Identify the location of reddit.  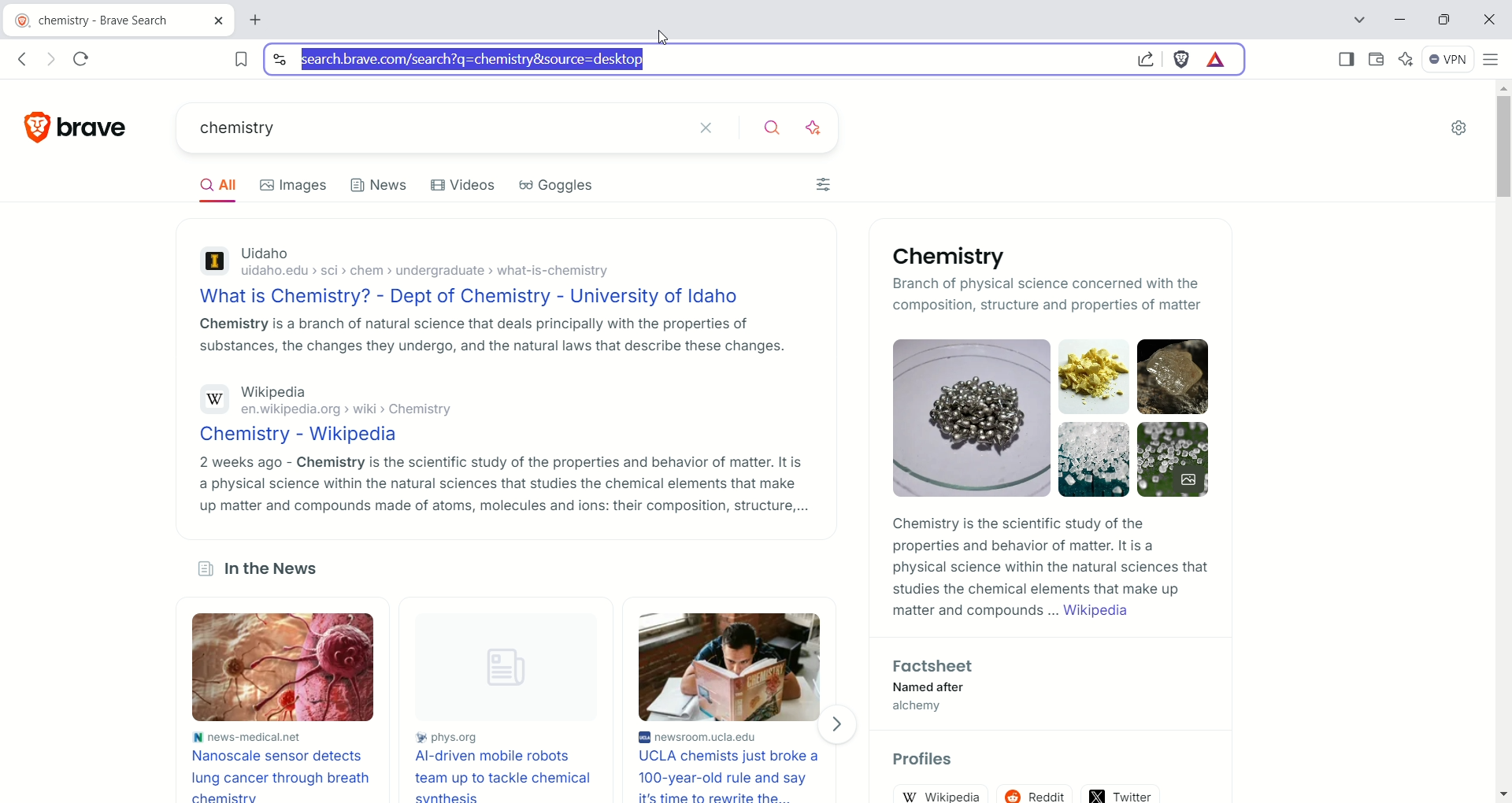
(1036, 794).